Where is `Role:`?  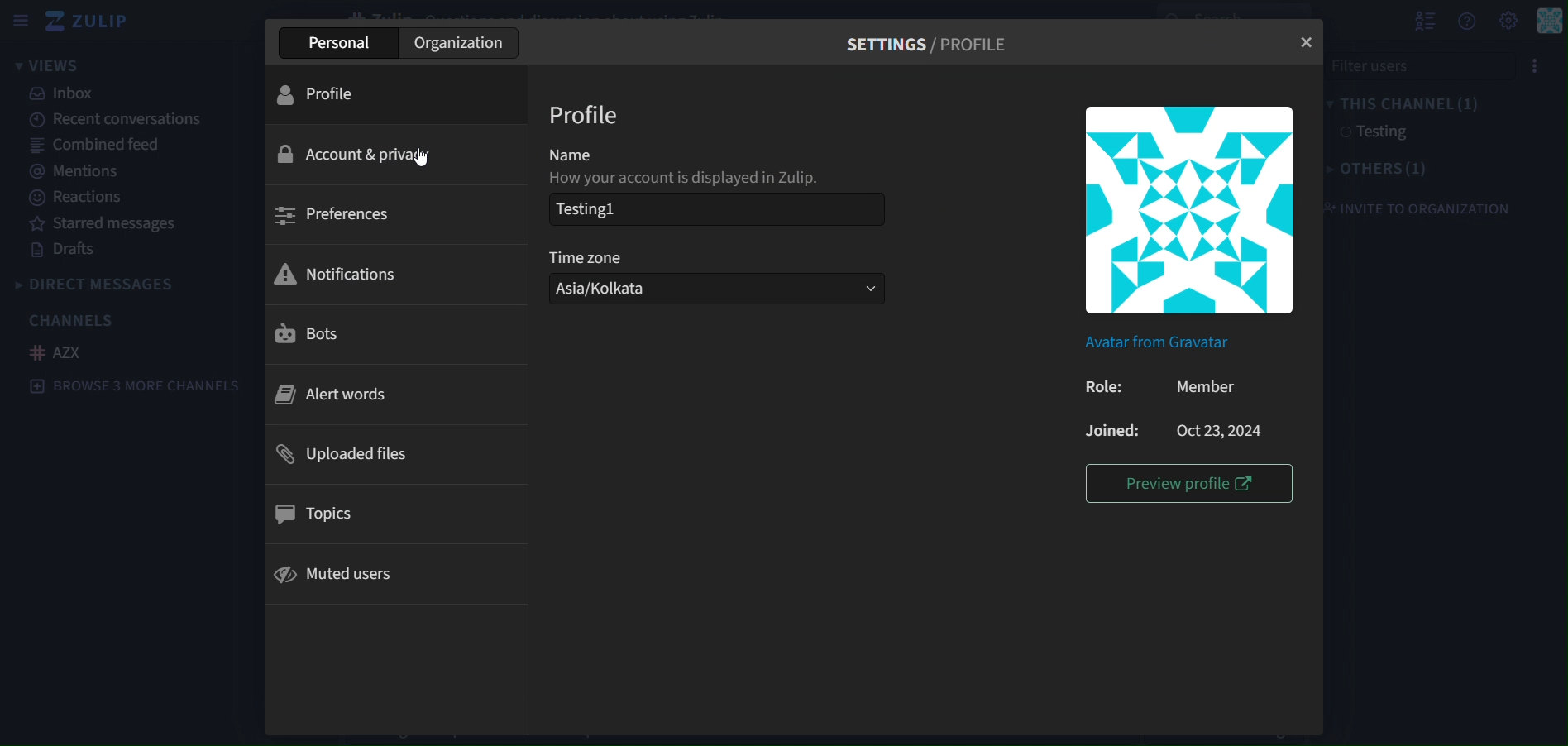
Role: is located at coordinates (1102, 386).